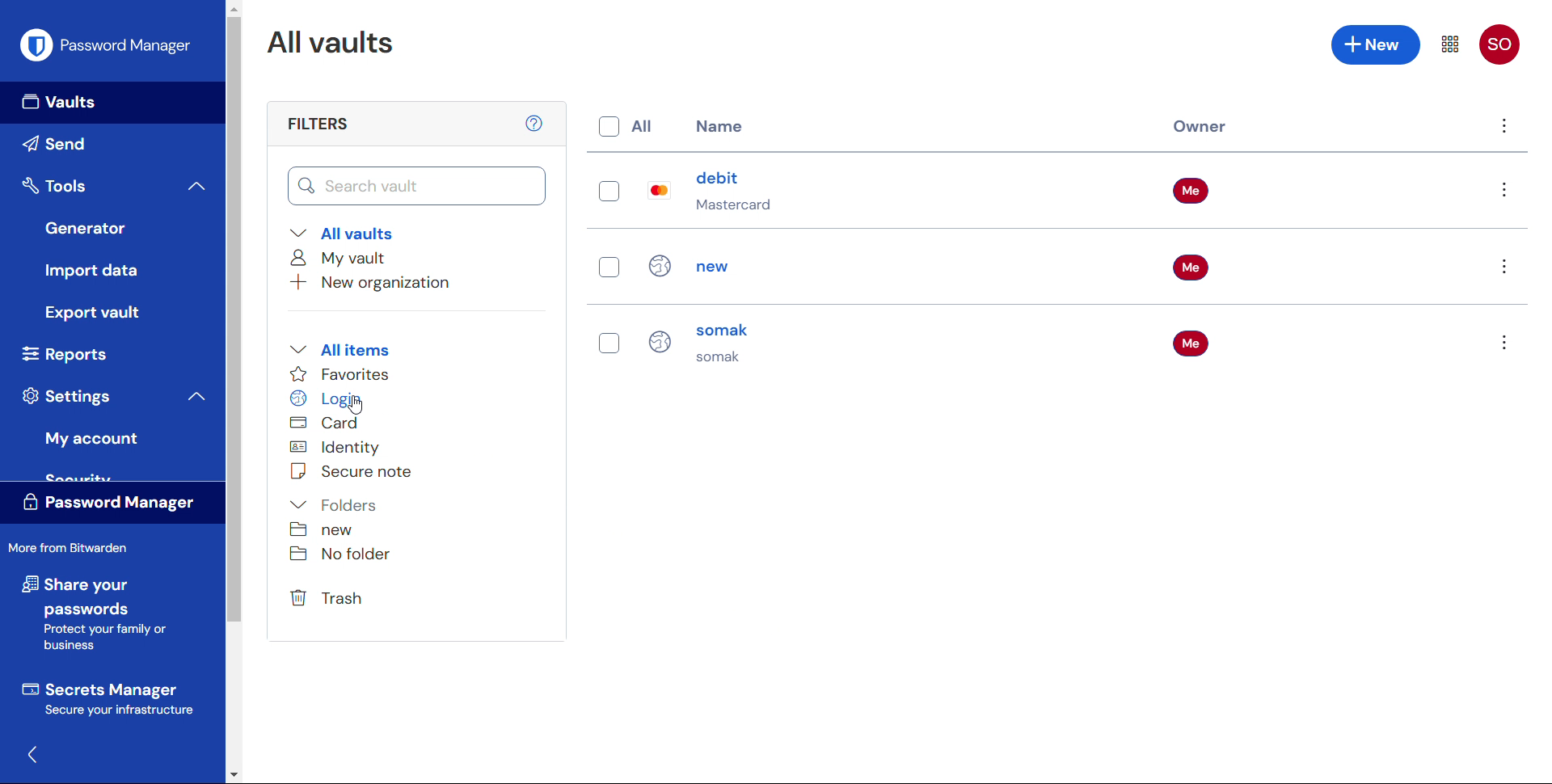 Image resolution: width=1552 pixels, height=784 pixels. What do you see at coordinates (113, 142) in the screenshot?
I see `send ` at bounding box center [113, 142].